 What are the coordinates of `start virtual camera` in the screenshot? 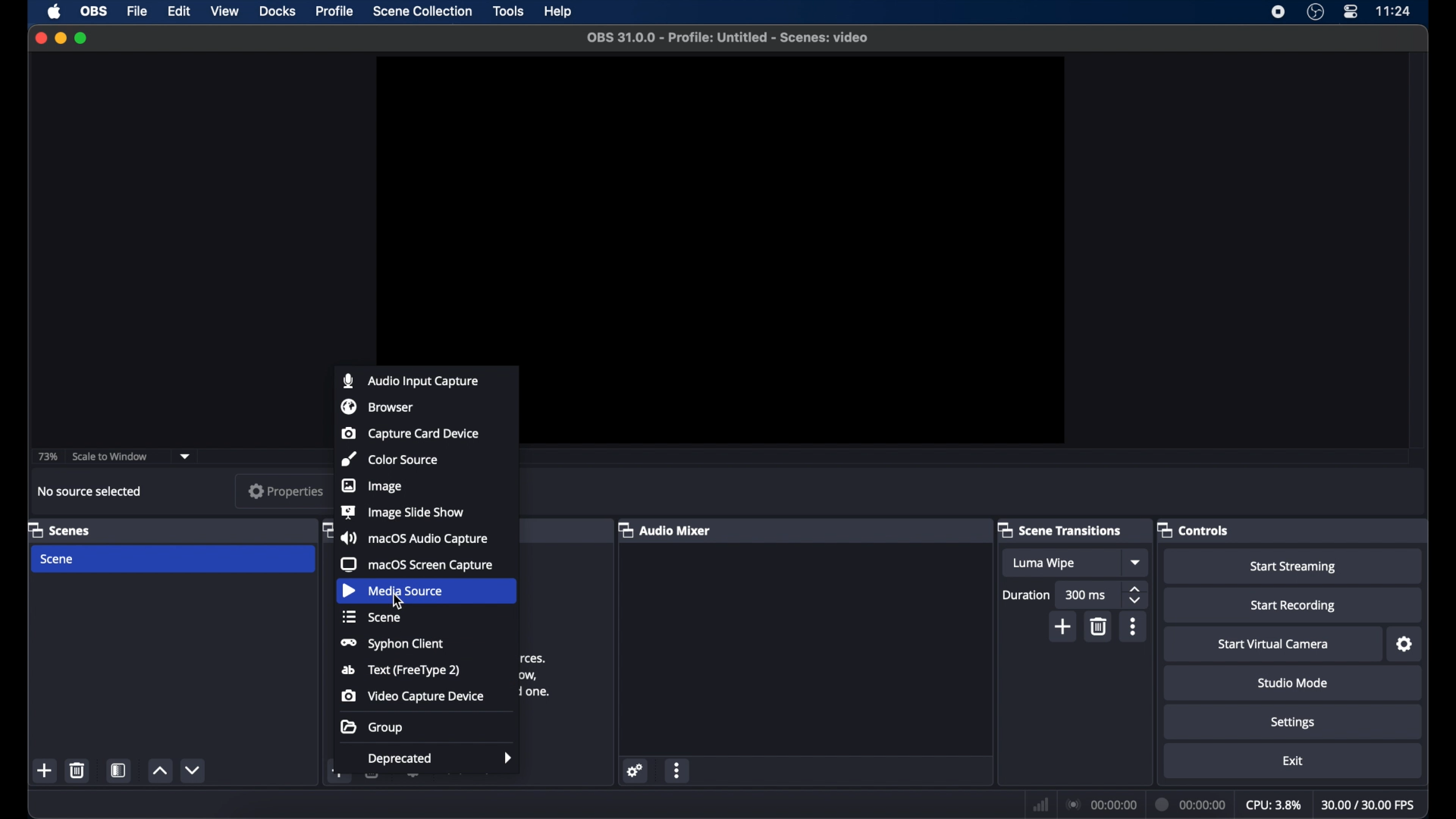 It's located at (1272, 645).